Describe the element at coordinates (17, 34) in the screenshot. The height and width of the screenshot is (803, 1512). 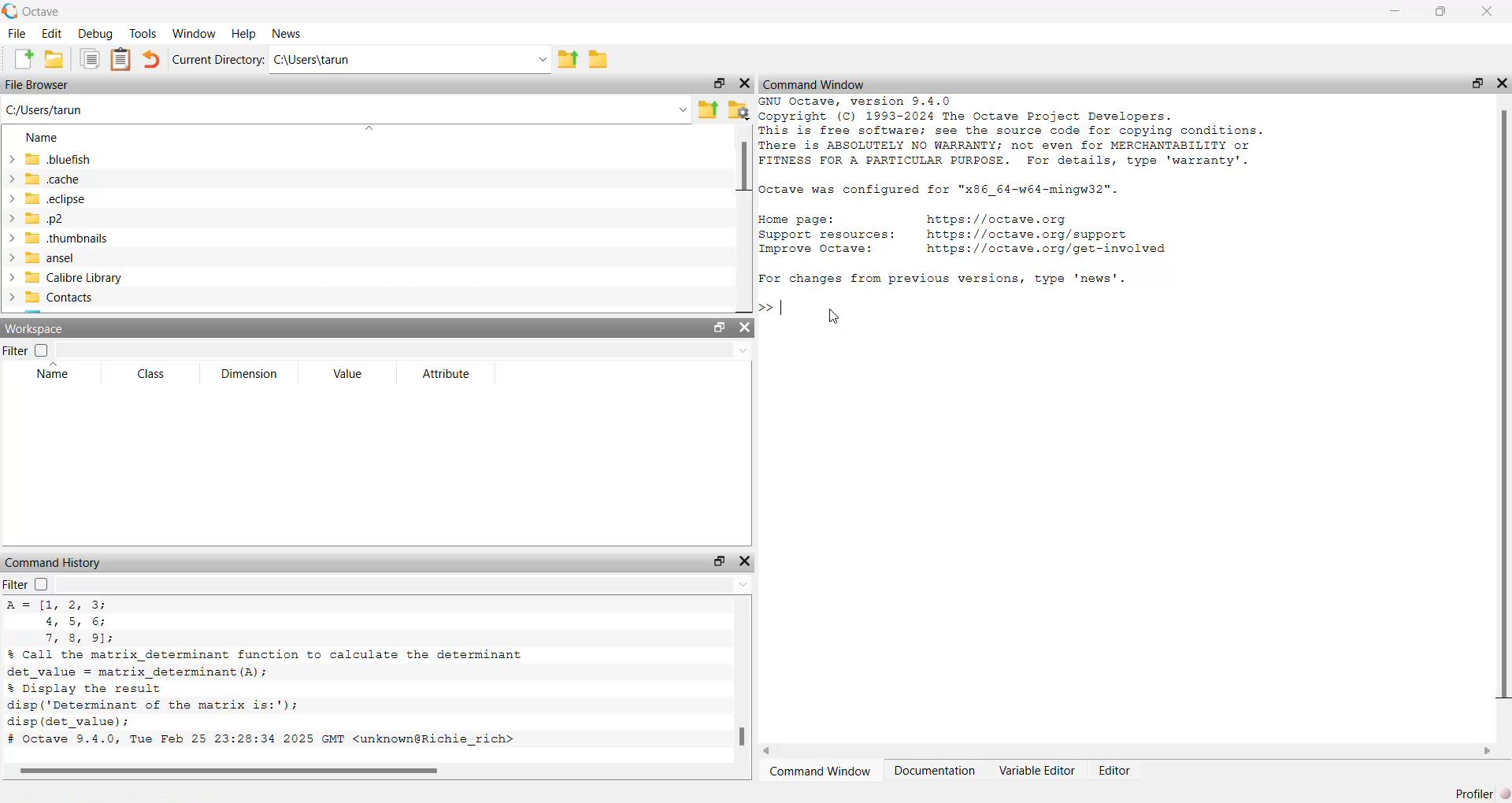
I see `file` at that location.